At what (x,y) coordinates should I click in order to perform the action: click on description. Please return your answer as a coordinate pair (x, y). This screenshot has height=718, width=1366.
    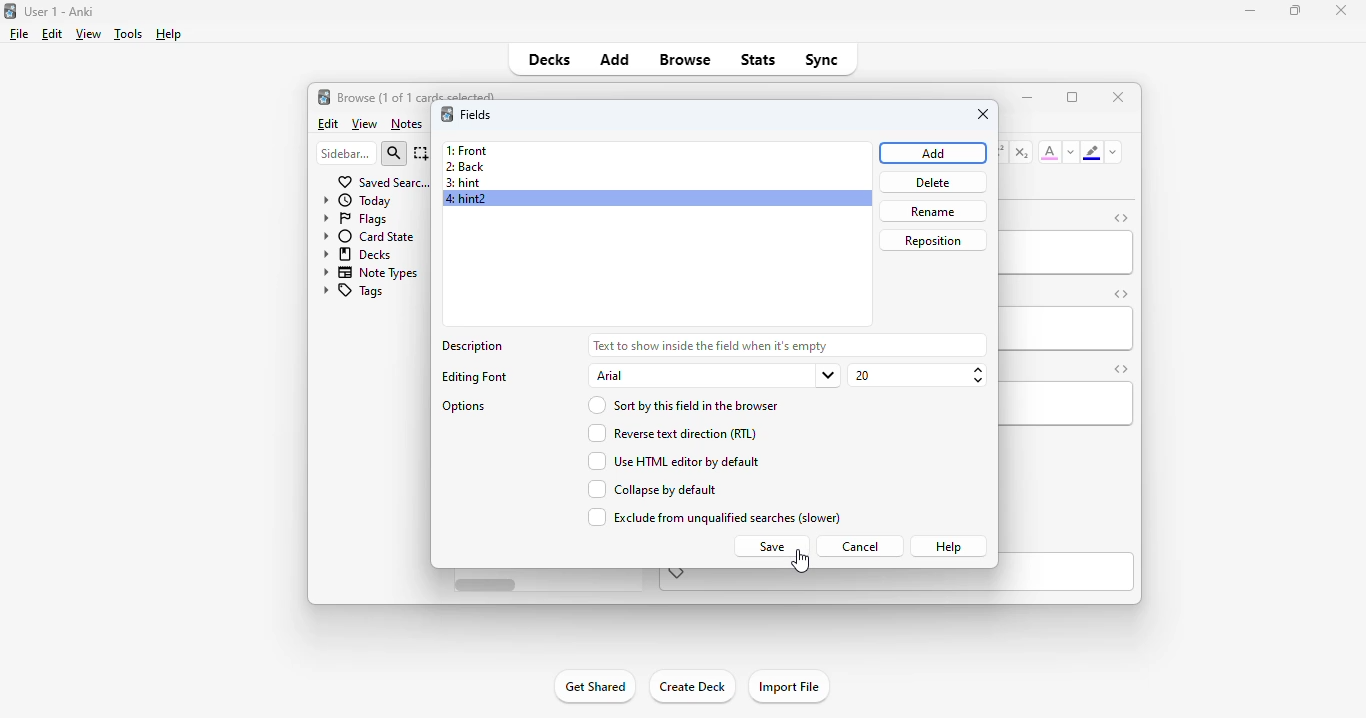
    Looking at the image, I should click on (710, 344).